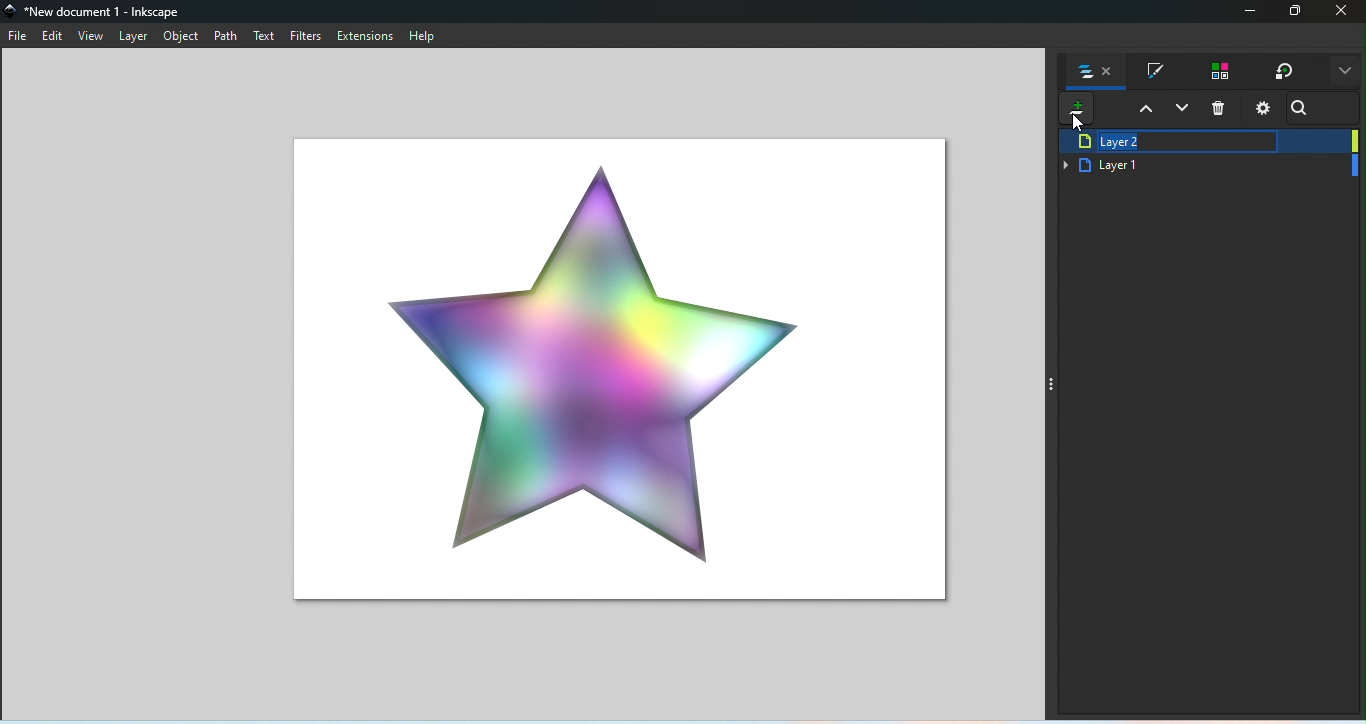 This screenshot has height=724, width=1366. Describe the element at coordinates (1344, 13) in the screenshot. I see `Close` at that location.